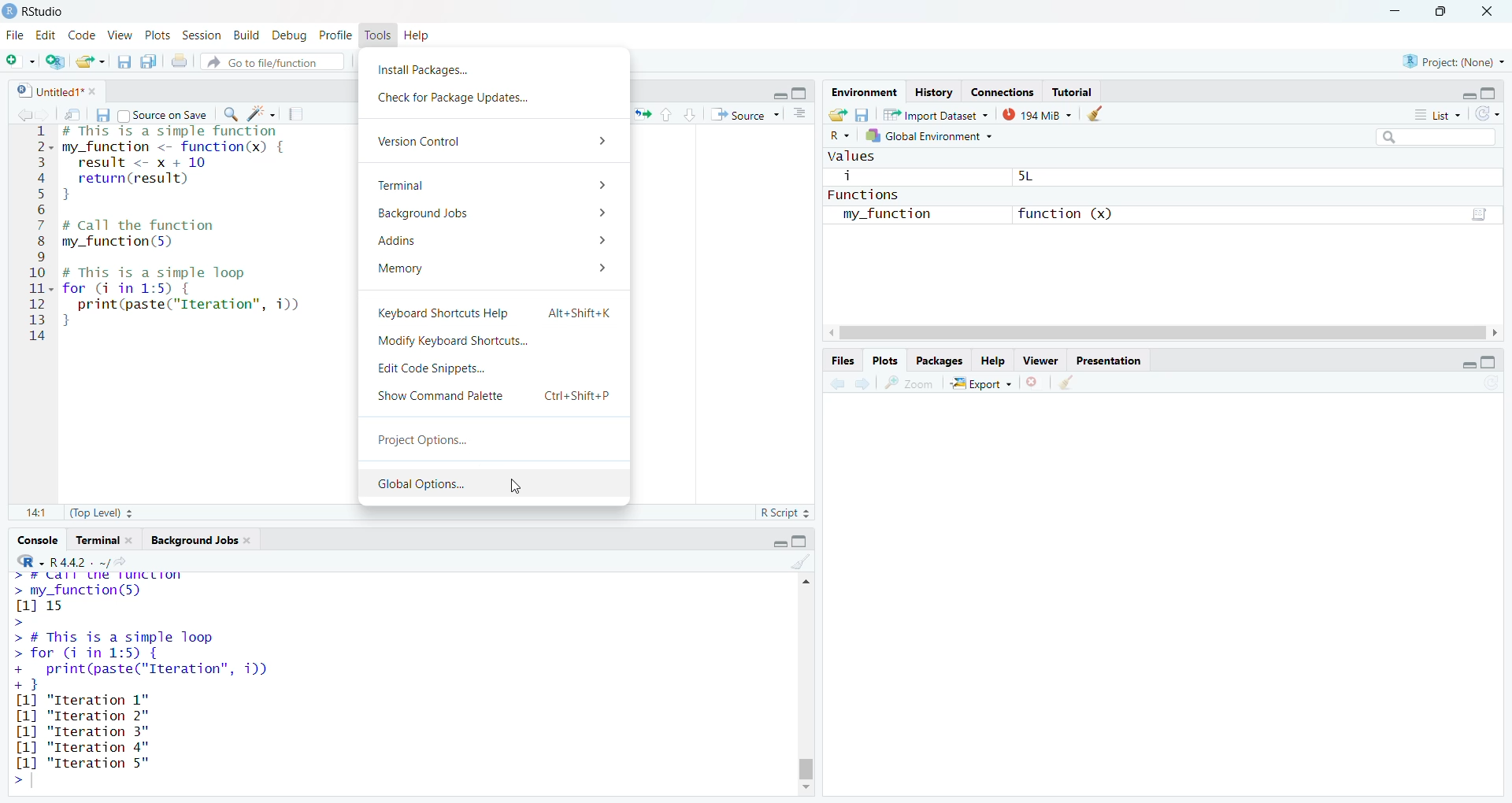  I want to click on logo, so click(9, 11).